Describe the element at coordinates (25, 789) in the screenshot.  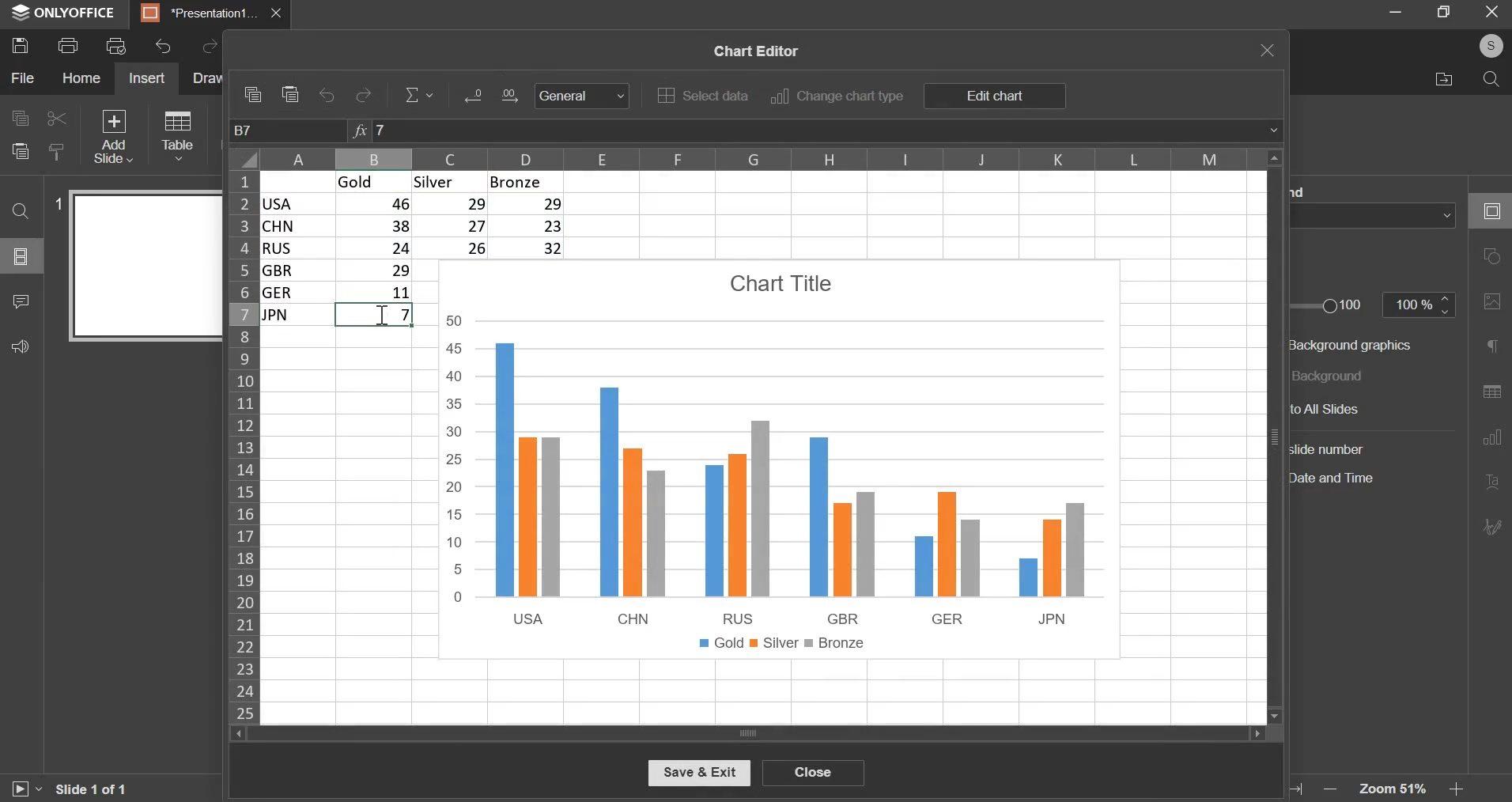
I see `start slide show` at that location.